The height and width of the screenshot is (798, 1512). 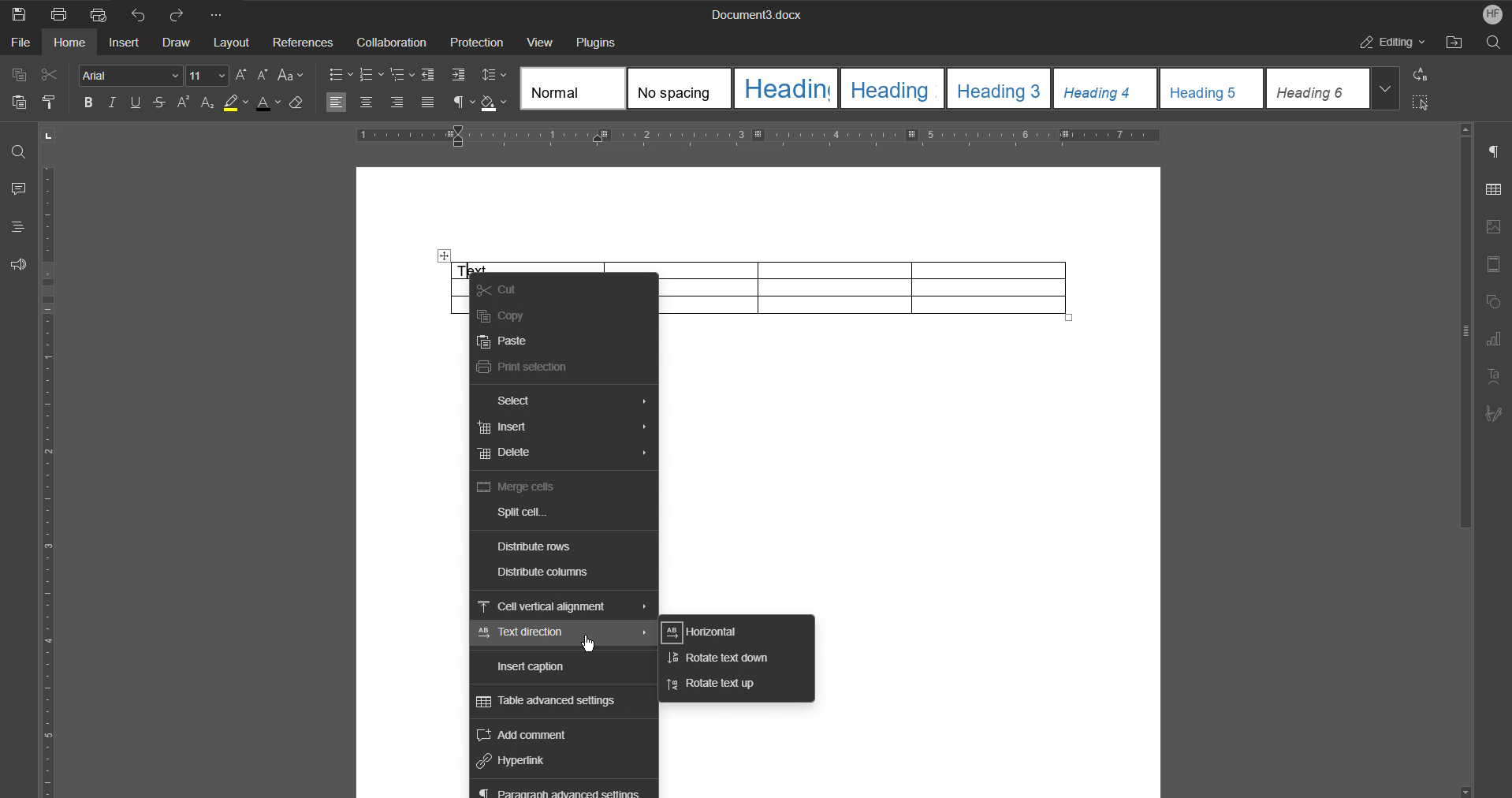 What do you see at coordinates (18, 226) in the screenshot?
I see `Headings` at bounding box center [18, 226].